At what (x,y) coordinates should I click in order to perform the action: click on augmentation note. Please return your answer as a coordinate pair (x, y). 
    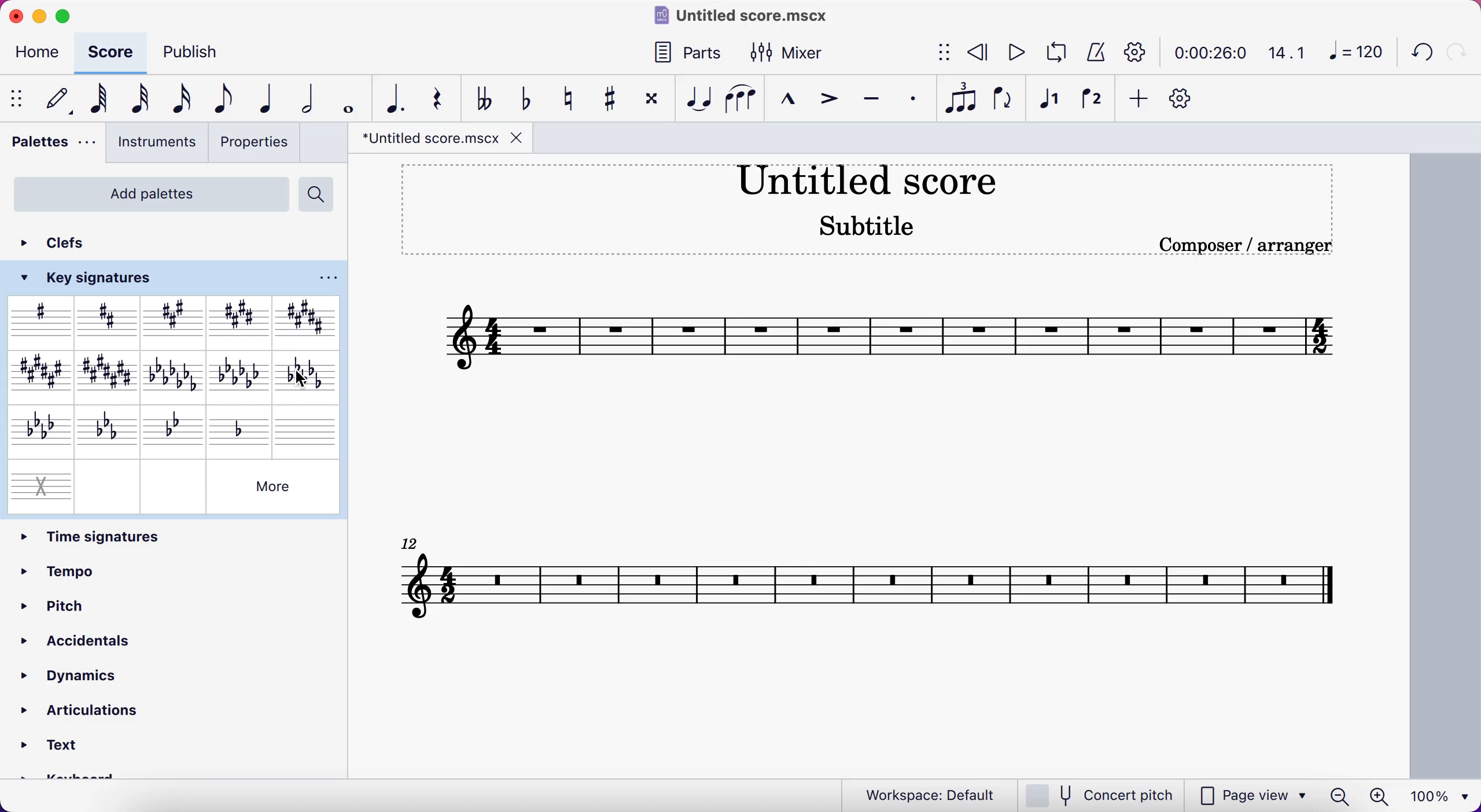
    Looking at the image, I should click on (396, 97).